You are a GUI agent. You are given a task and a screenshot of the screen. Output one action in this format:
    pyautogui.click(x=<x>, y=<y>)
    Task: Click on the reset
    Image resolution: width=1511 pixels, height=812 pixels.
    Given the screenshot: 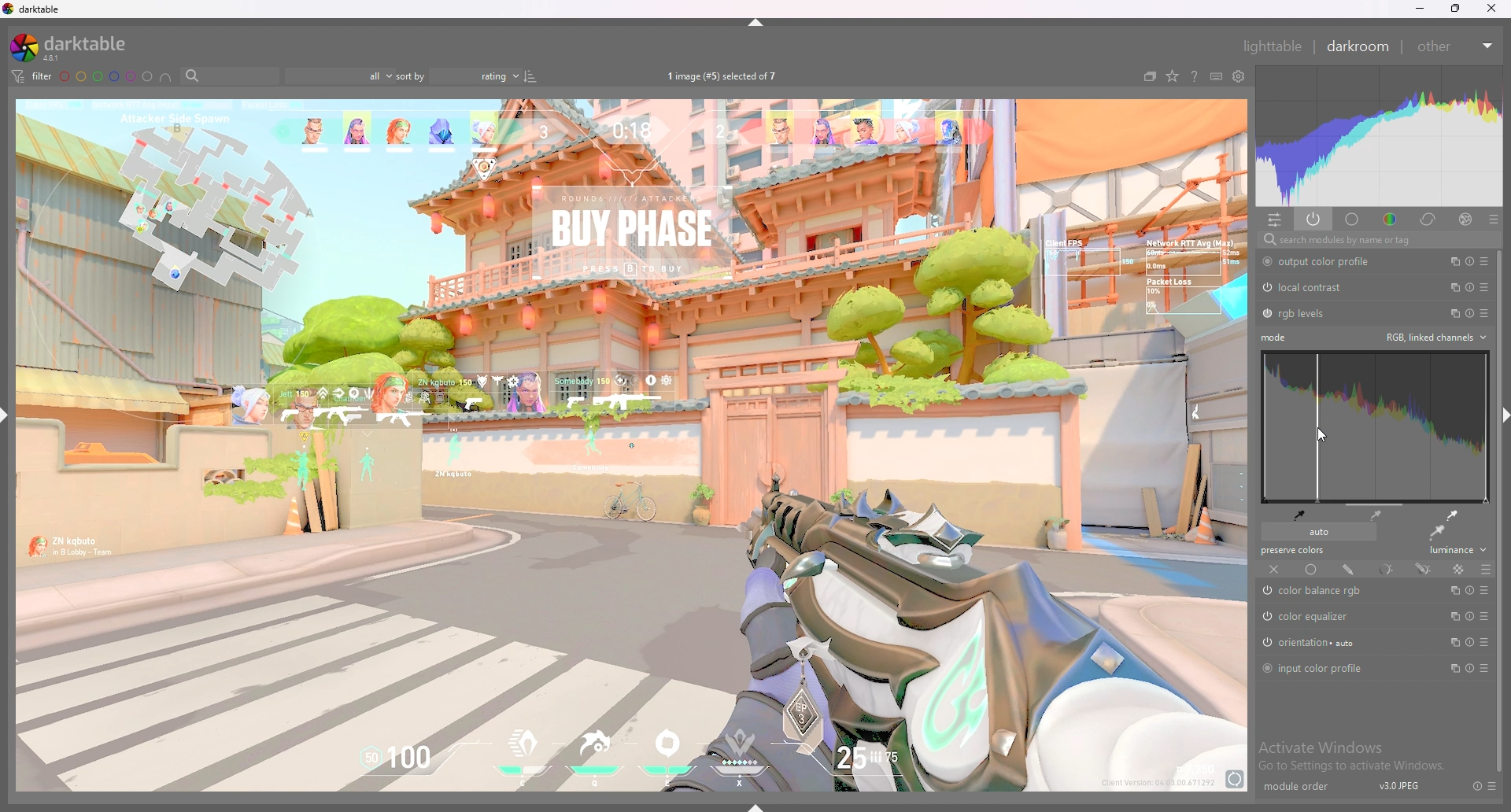 What is the action you would take?
    pyautogui.click(x=1471, y=313)
    